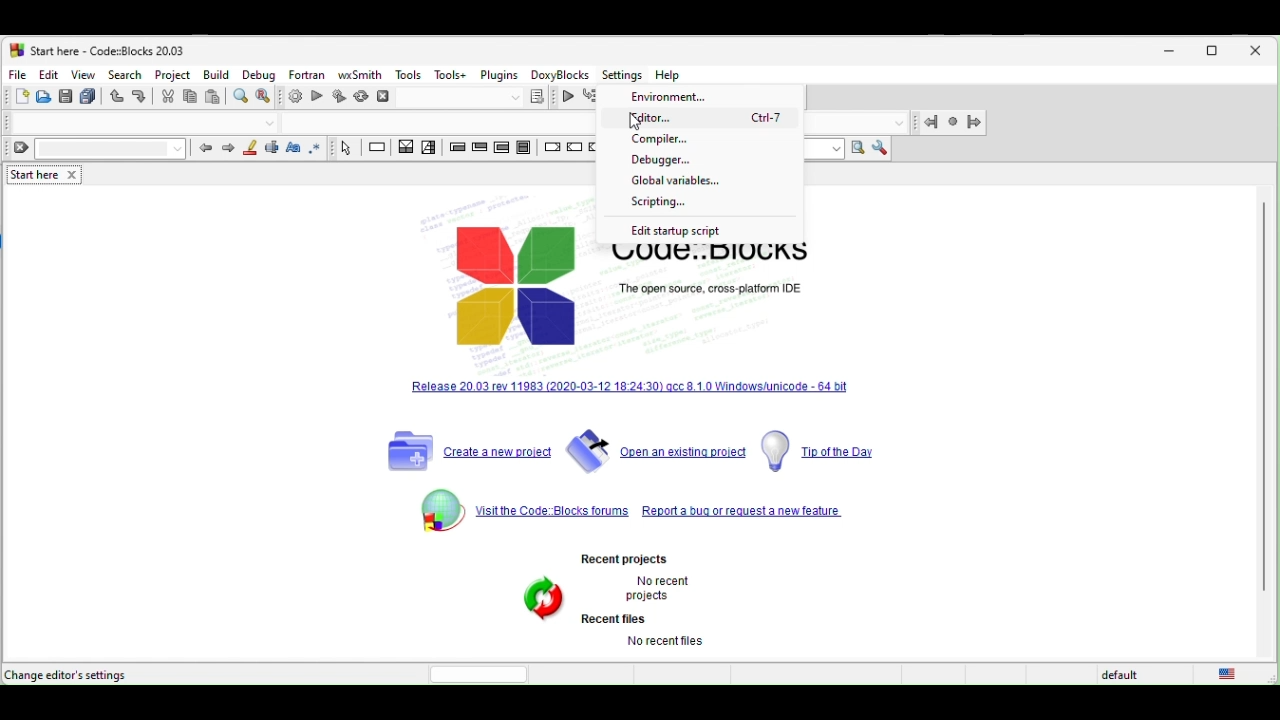 Image resolution: width=1280 pixels, height=720 pixels. I want to click on debugger, so click(681, 160).